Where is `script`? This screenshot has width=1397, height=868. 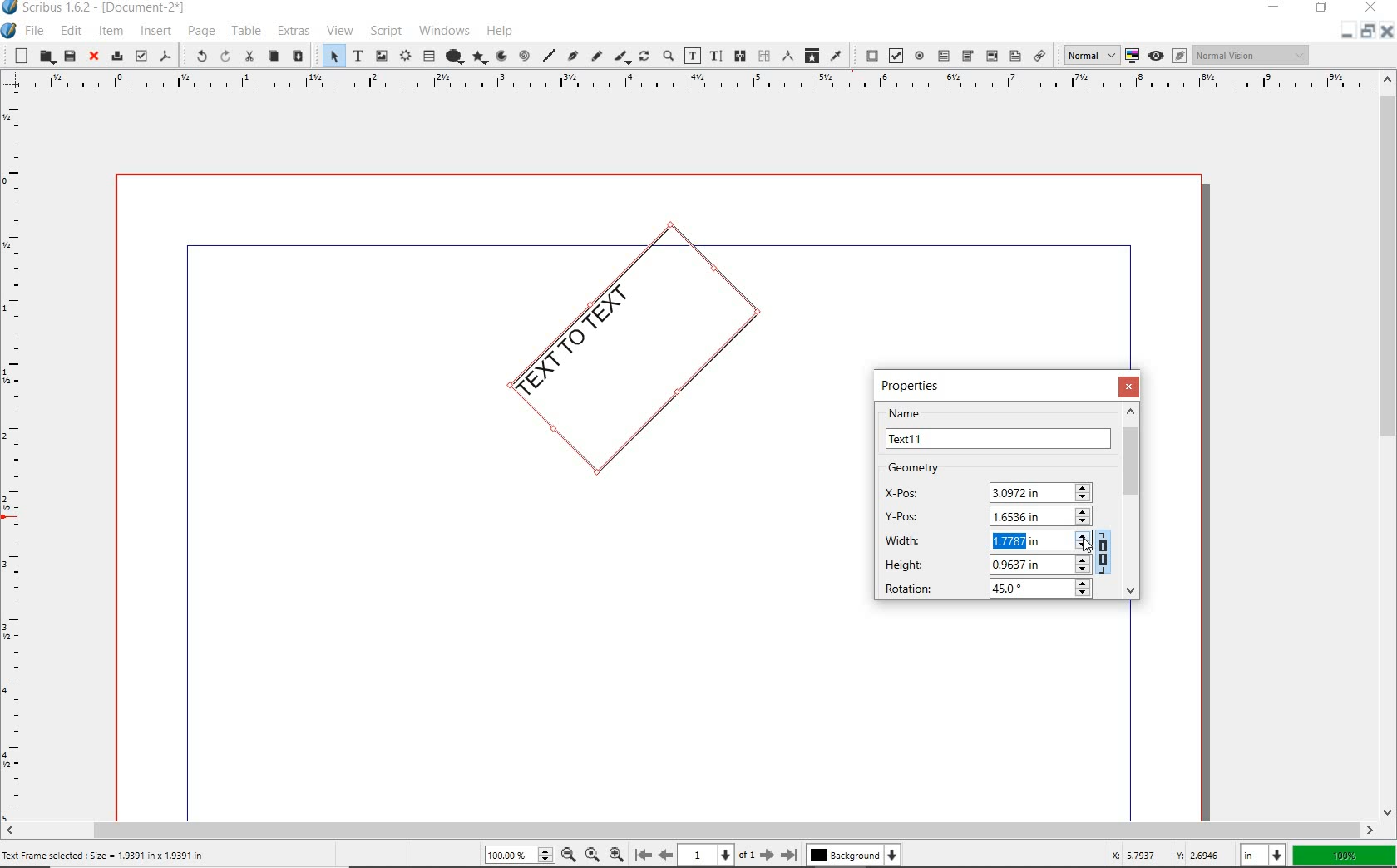 script is located at coordinates (386, 31).